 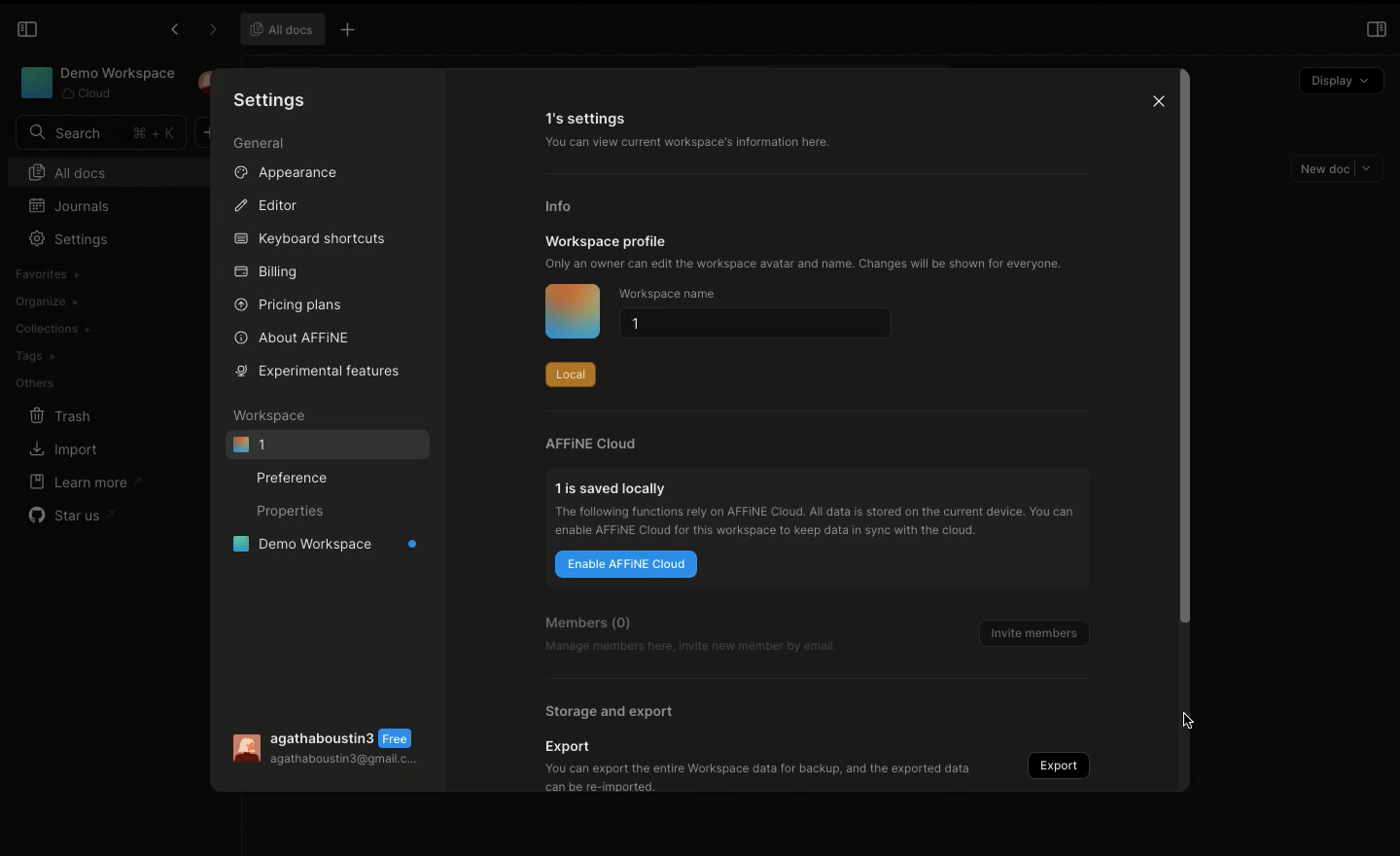 I want to click on Open right panel, so click(x=1376, y=29).